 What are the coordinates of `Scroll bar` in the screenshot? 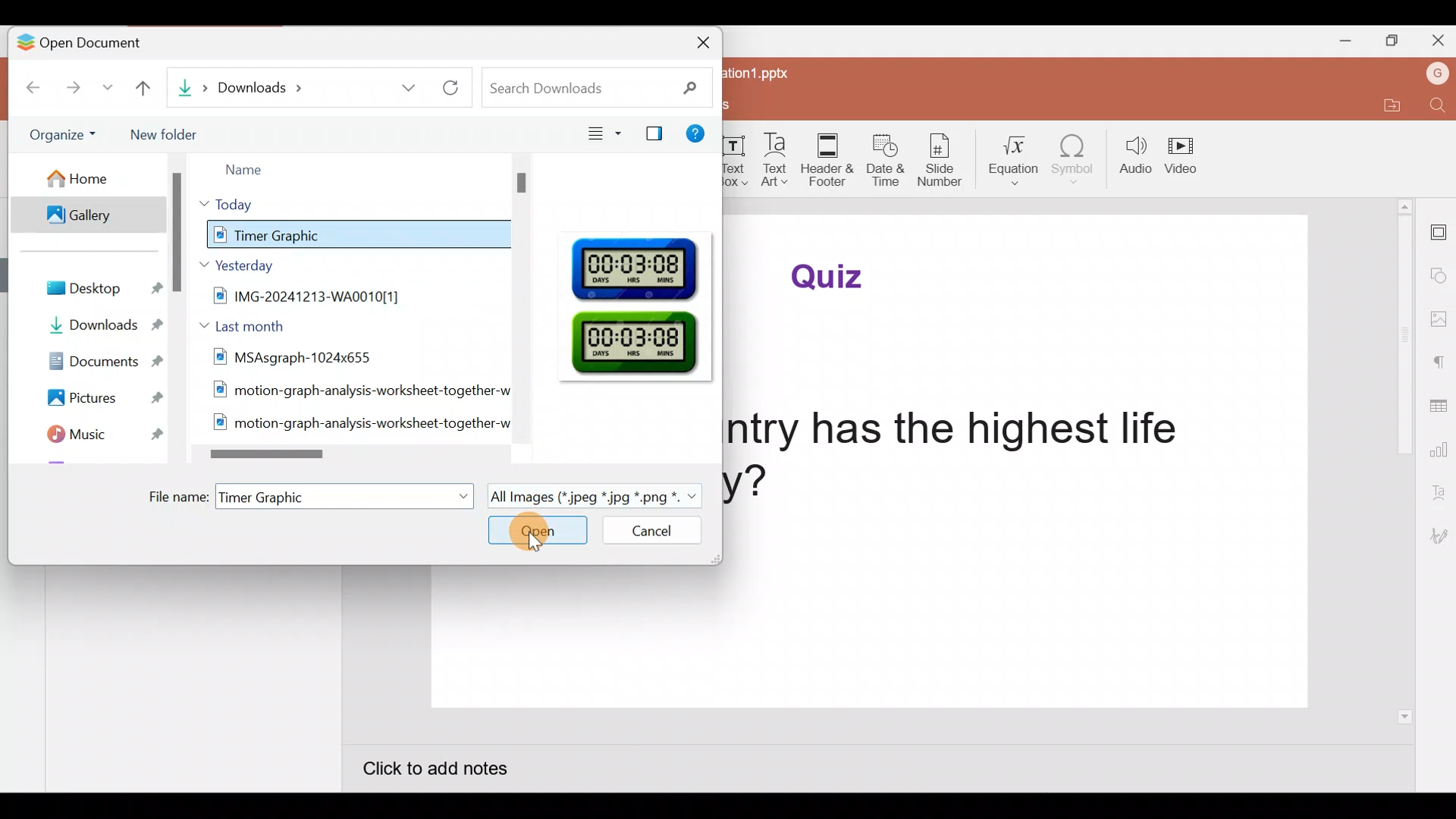 It's located at (176, 315).